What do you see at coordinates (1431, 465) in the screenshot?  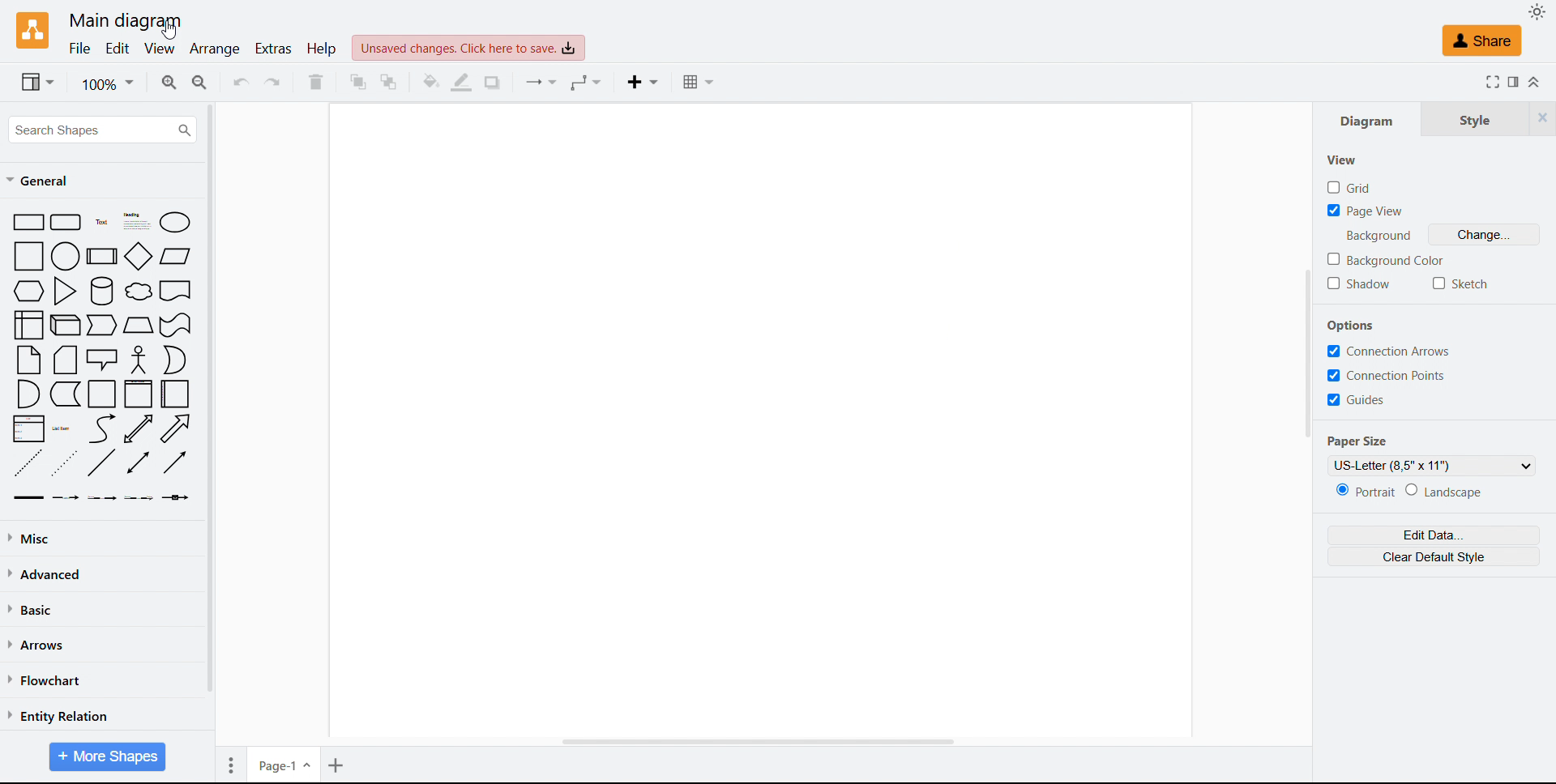 I see `Select paper size ` at bounding box center [1431, 465].